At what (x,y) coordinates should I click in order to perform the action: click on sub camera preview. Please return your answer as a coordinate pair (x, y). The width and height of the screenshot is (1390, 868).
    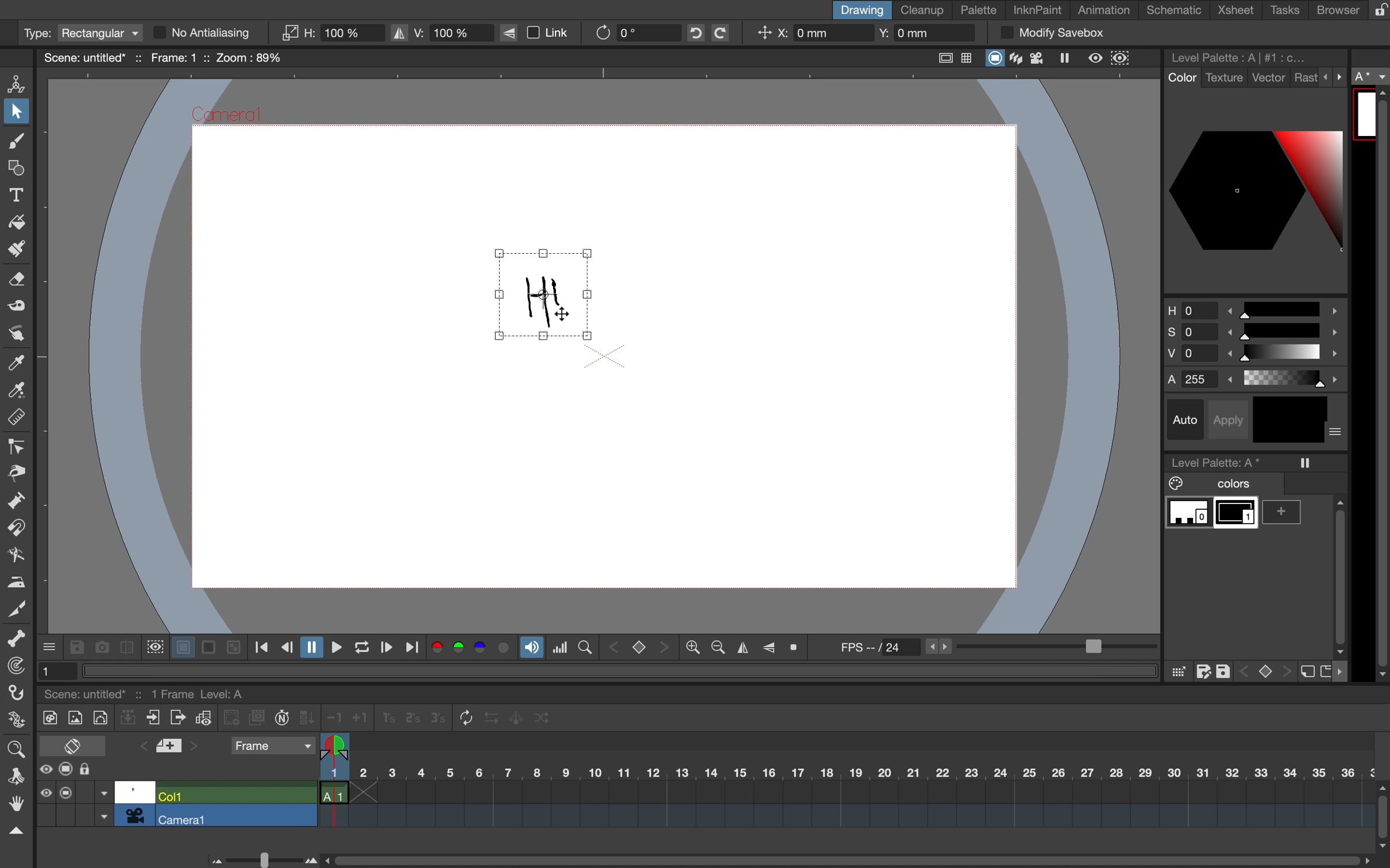
    Looking at the image, I should click on (1121, 59).